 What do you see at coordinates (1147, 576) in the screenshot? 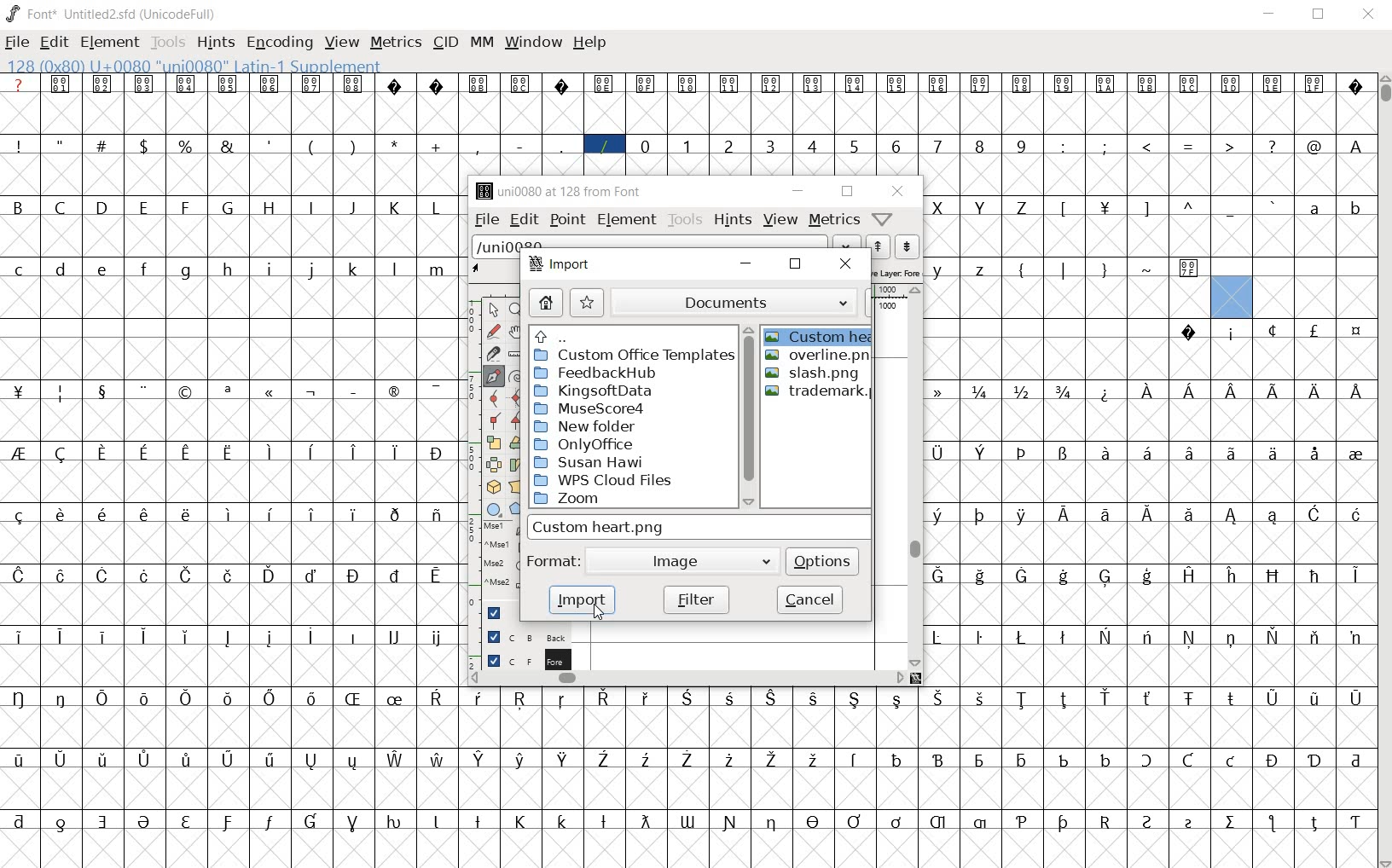
I see `glyph` at bounding box center [1147, 576].